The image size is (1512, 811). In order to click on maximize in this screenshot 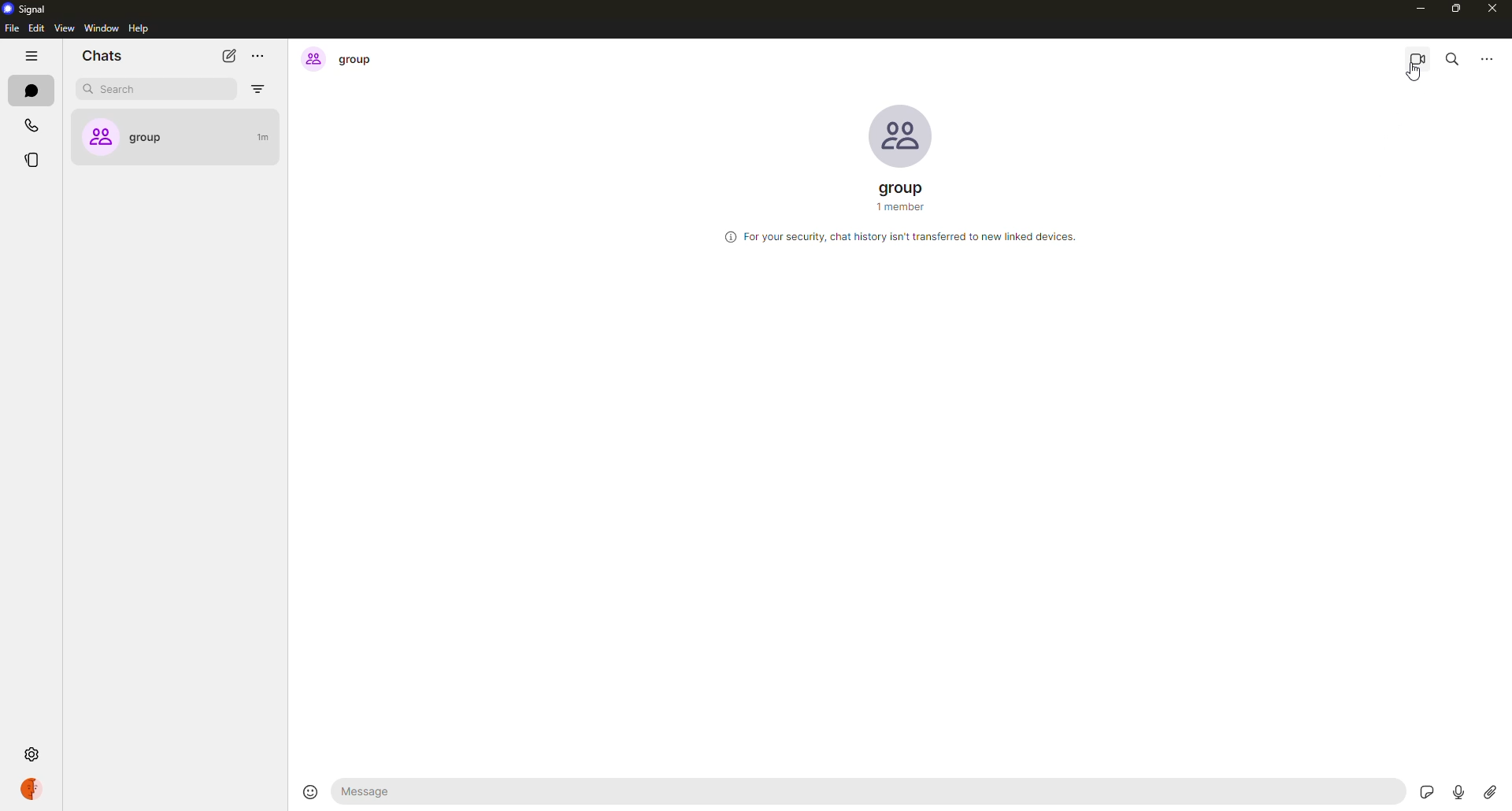, I will do `click(1458, 9)`.